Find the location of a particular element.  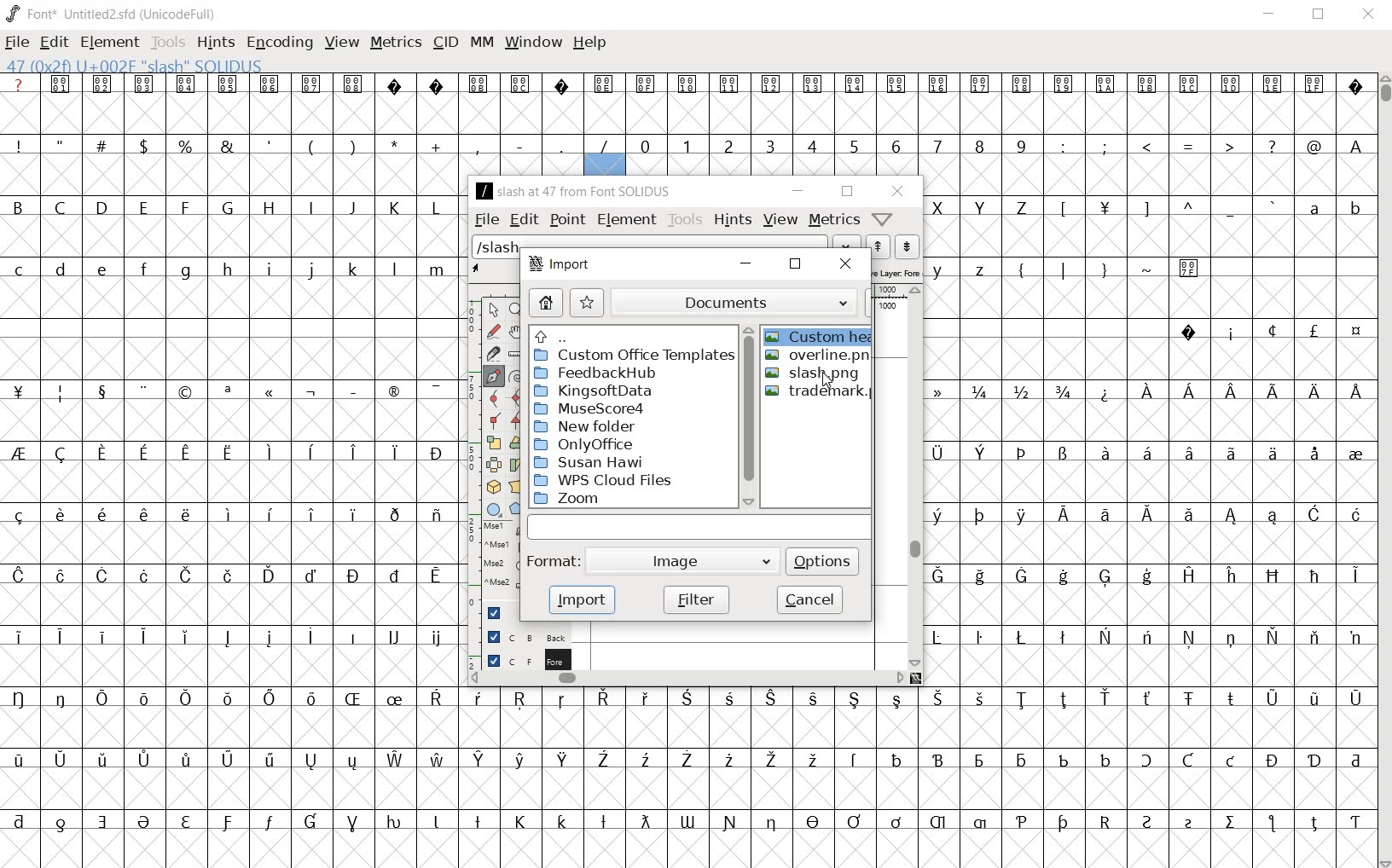

empty cells is located at coordinates (1149, 176).